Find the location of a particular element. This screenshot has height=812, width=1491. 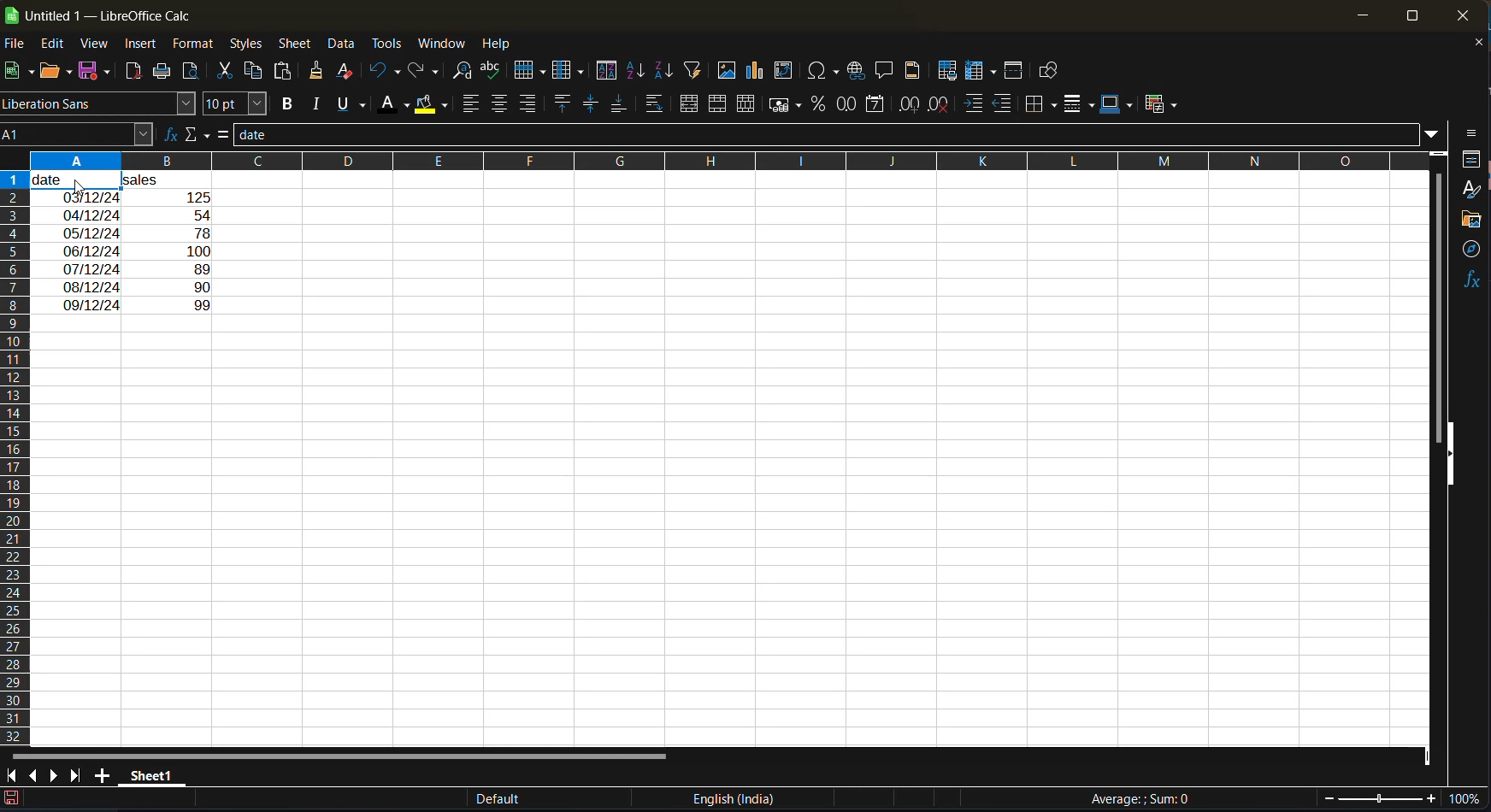

selected cell is located at coordinates (76, 182).